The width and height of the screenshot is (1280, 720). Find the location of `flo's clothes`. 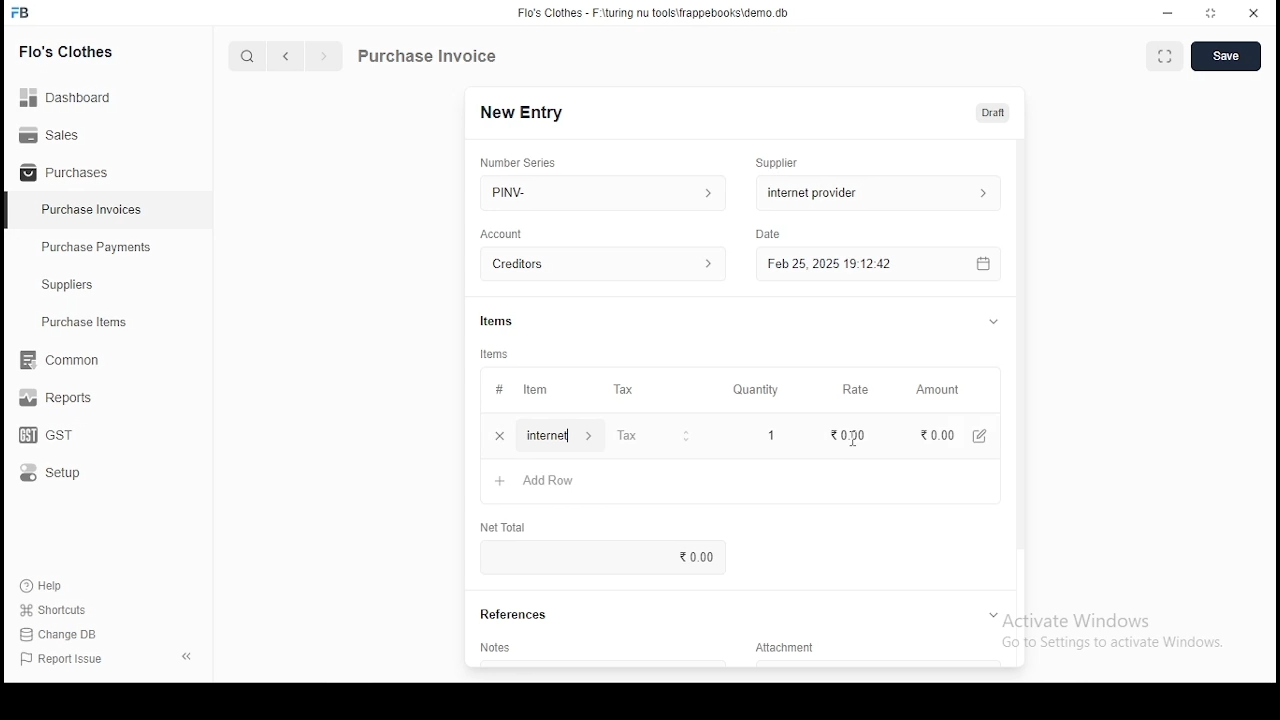

flo's clothes is located at coordinates (69, 51).